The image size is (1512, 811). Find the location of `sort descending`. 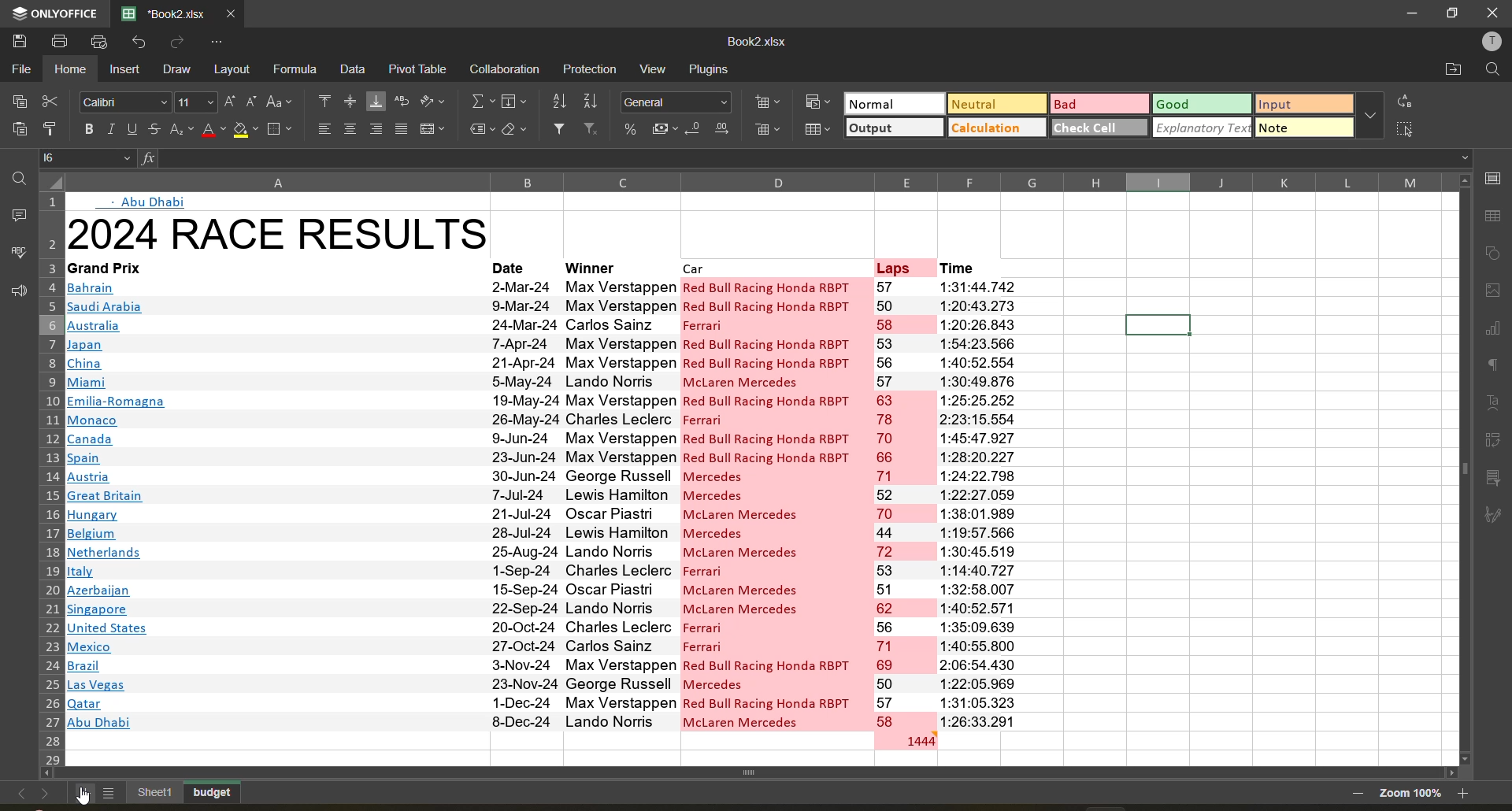

sort descending is located at coordinates (592, 102).